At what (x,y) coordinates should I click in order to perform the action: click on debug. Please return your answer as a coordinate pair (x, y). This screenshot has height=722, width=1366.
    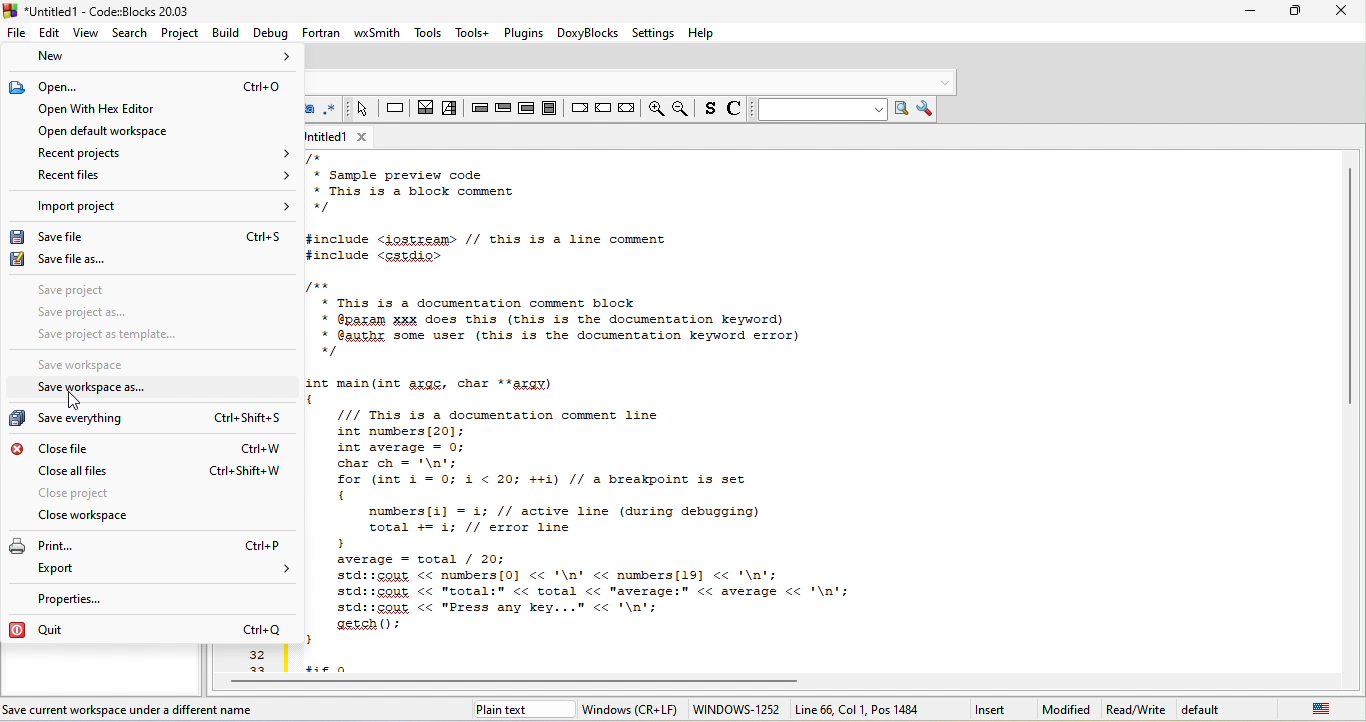
    Looking at the image, I should click on (270, 34).